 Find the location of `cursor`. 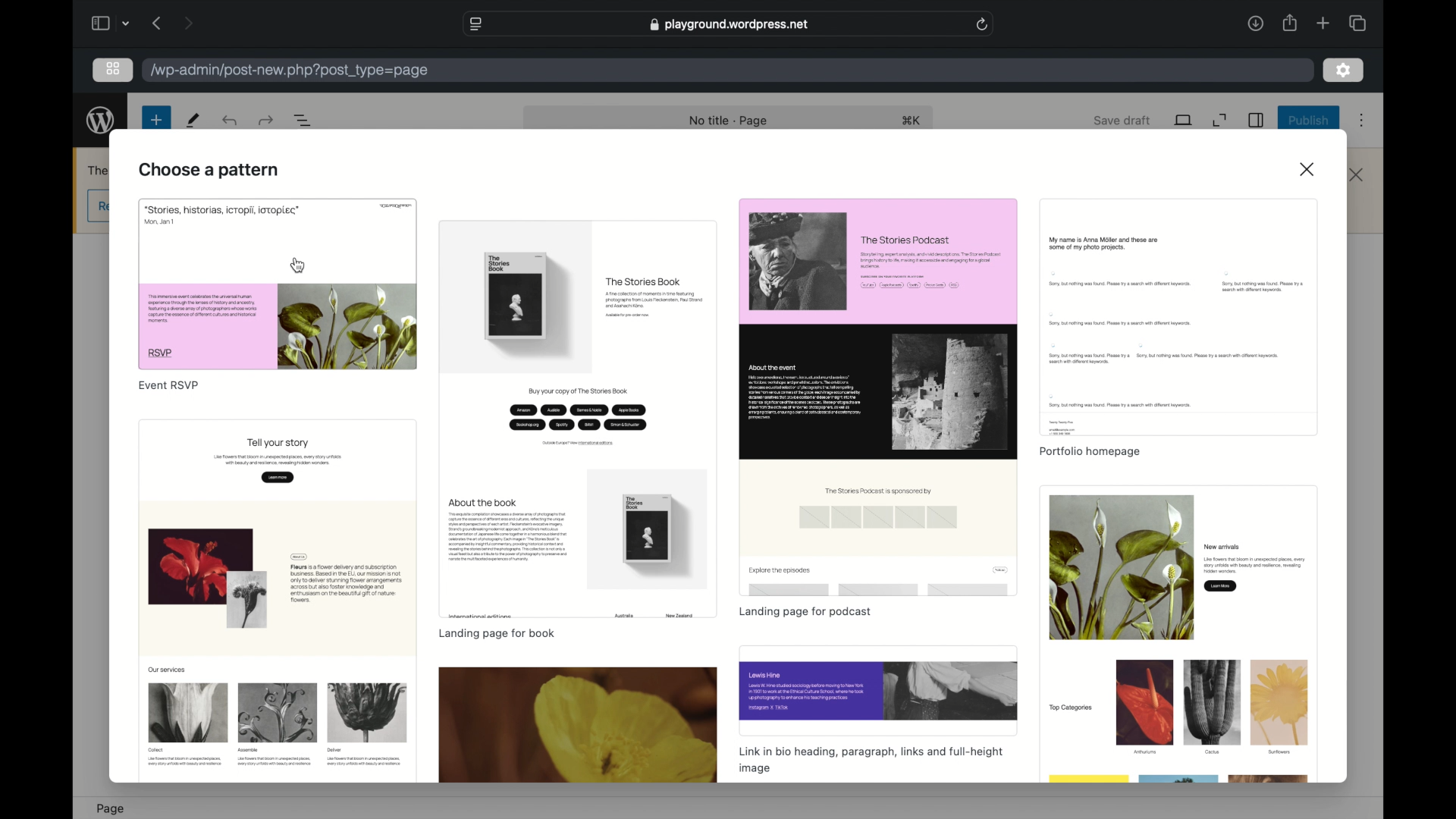

cursor is located at coordinates (299, 265).